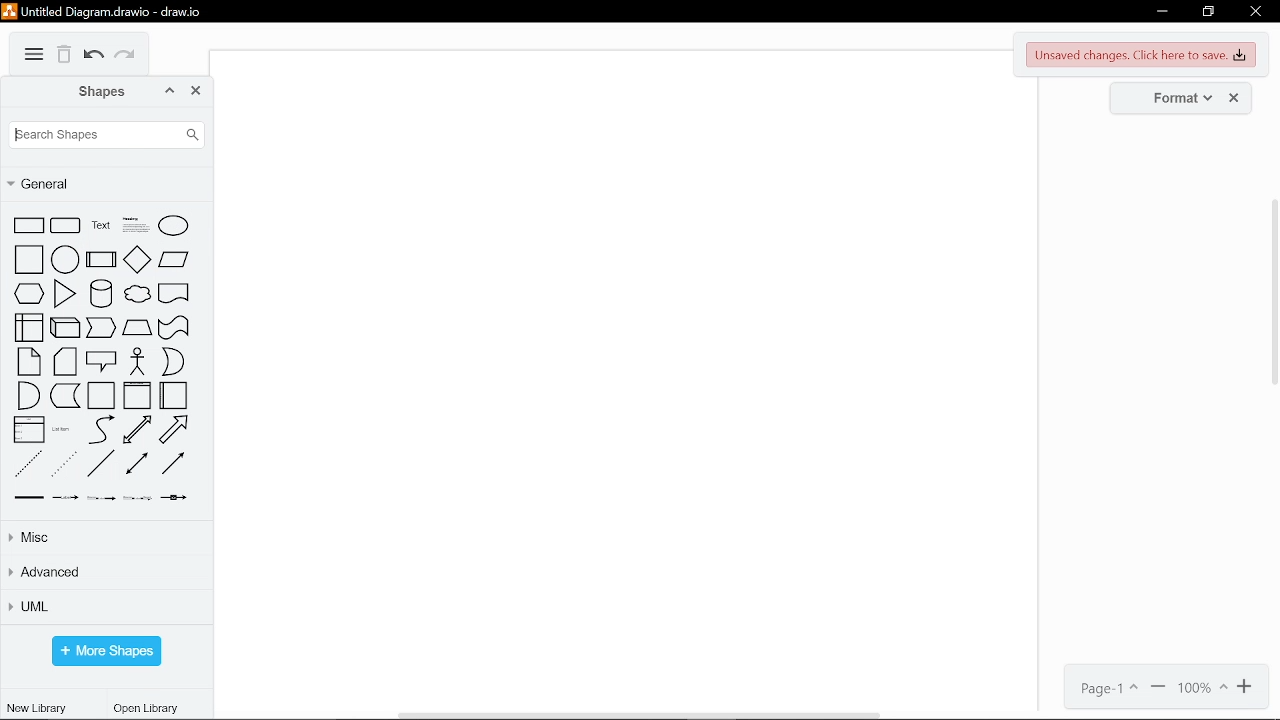 The image size is (1280, 720). I want to click on data storage, so click(66, 397).